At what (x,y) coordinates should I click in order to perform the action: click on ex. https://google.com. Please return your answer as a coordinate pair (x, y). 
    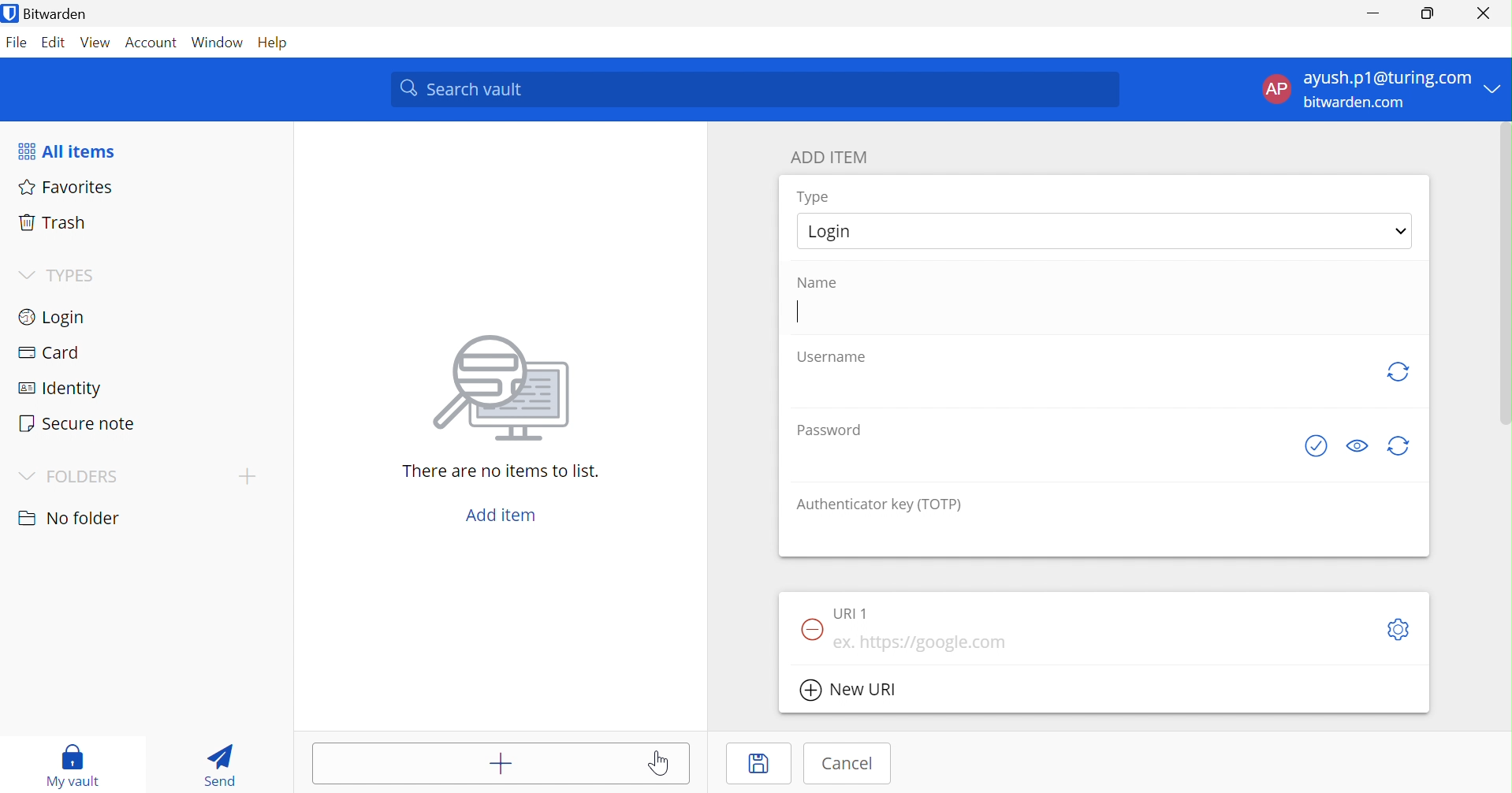
    Looking at the image, I should click on (931, 643).